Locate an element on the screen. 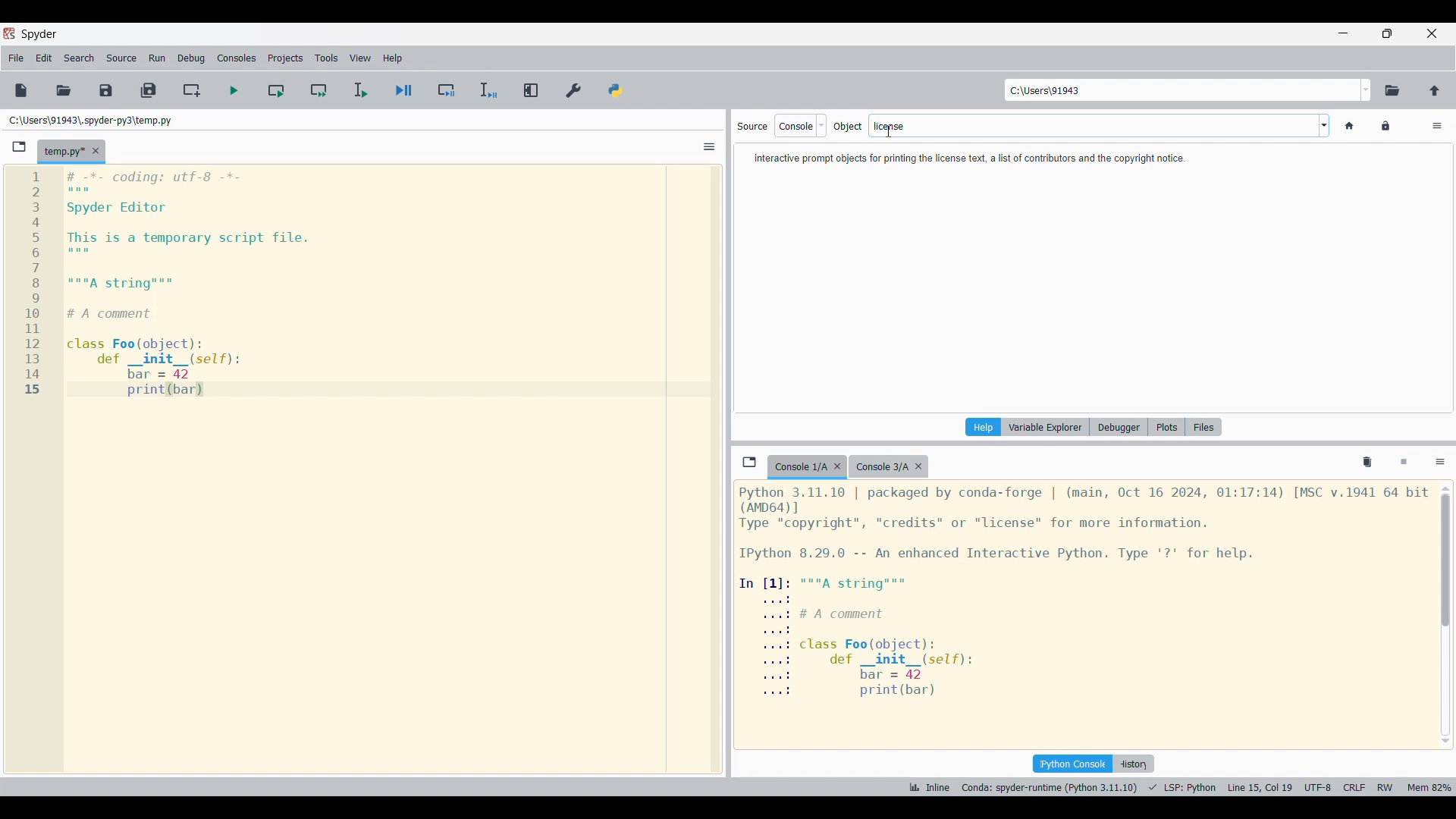 This screenshot has width=1456, height=819. Debug selection/current line is located at coordinates (488, 90).